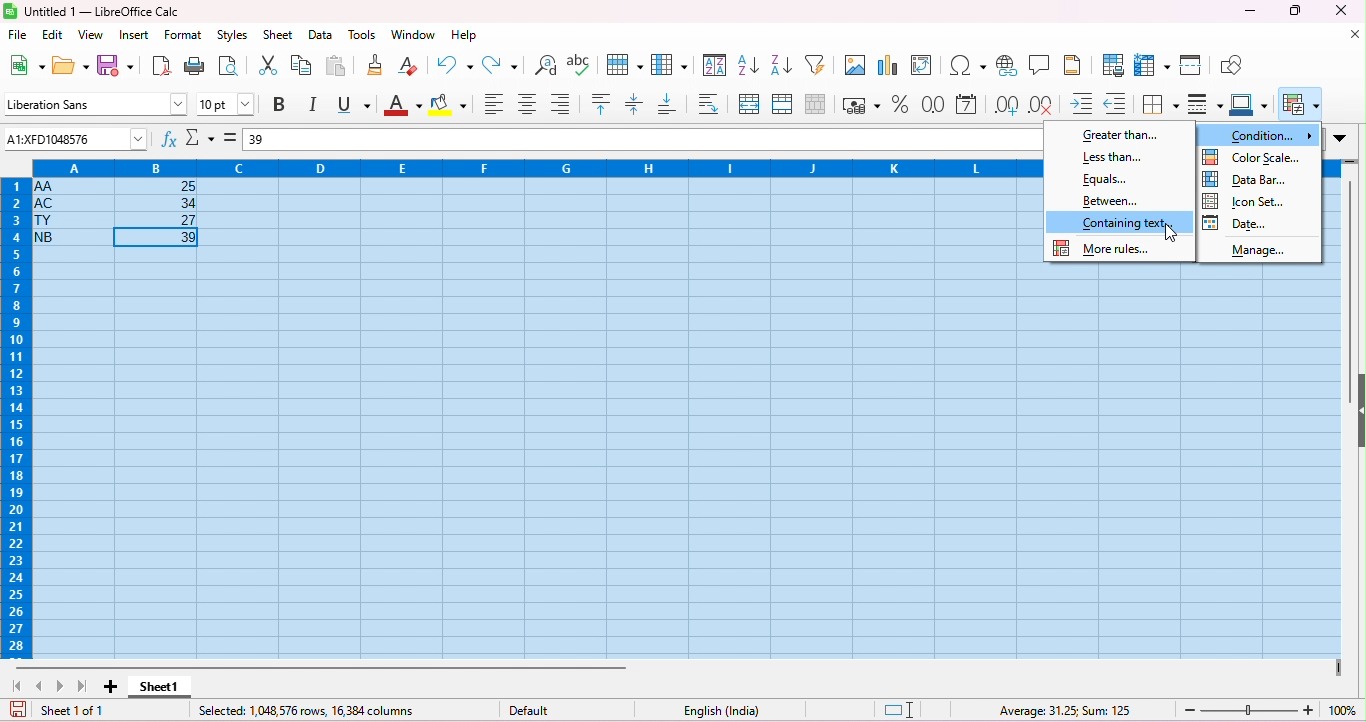  I want to click on color change, so click(1118, 222).